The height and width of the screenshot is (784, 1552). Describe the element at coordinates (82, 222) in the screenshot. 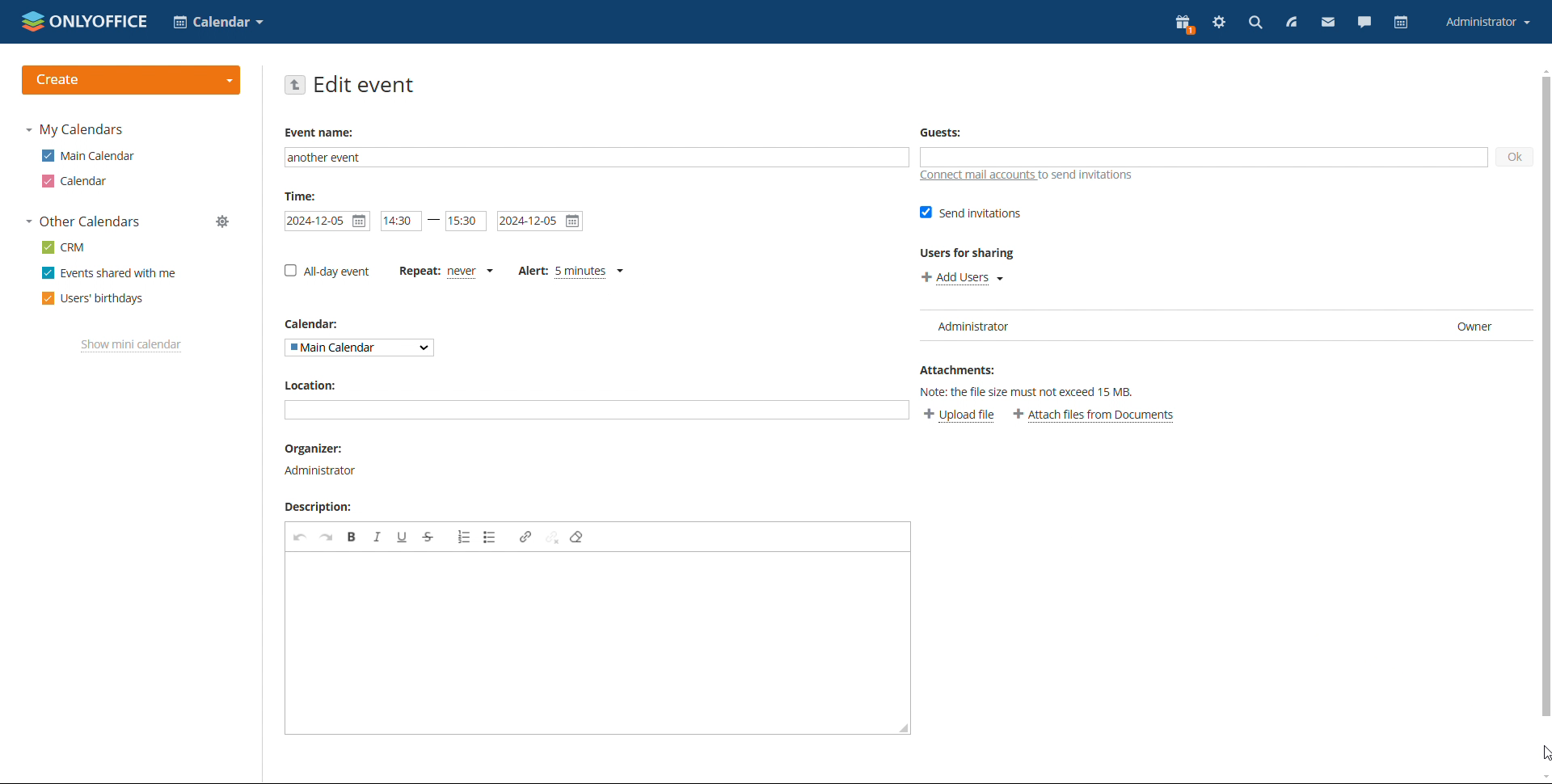

I see `other calendars` at that location.